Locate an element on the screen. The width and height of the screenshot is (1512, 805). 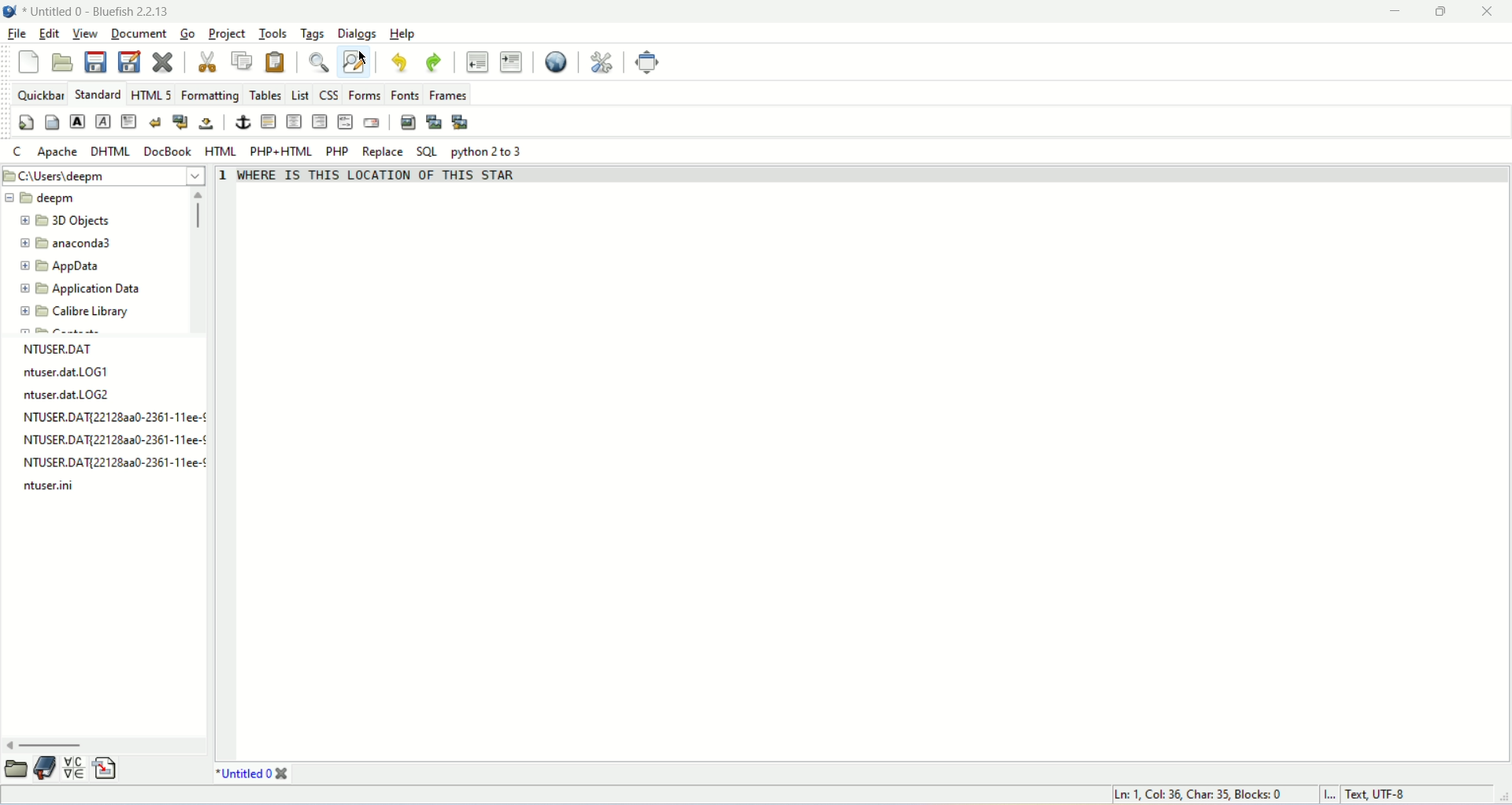
scroll bar is located at coordinates (201, 259).